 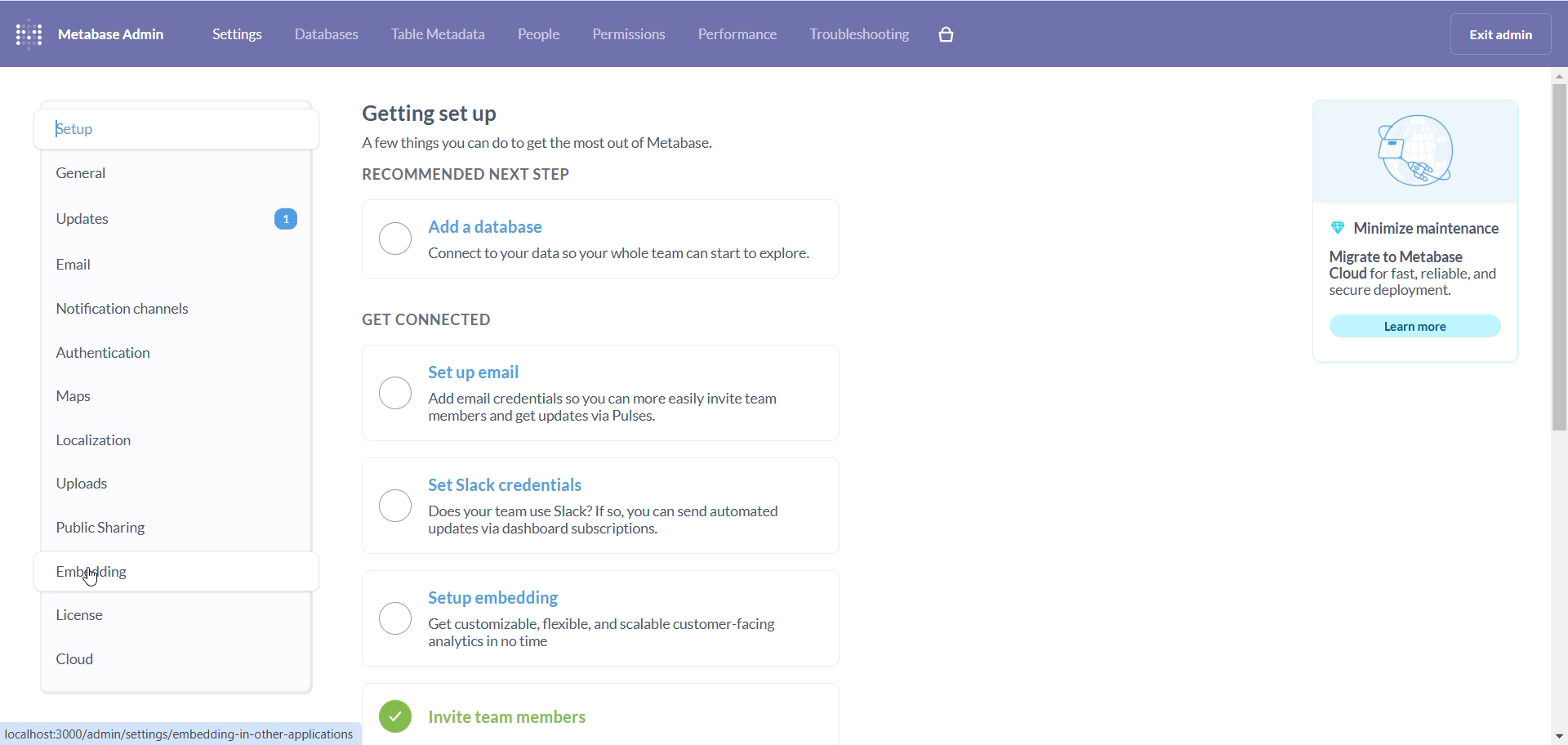 What do you see at coordinates (174, 224) in the screenshot?
I see `updates` at bounding box center [174, 224].